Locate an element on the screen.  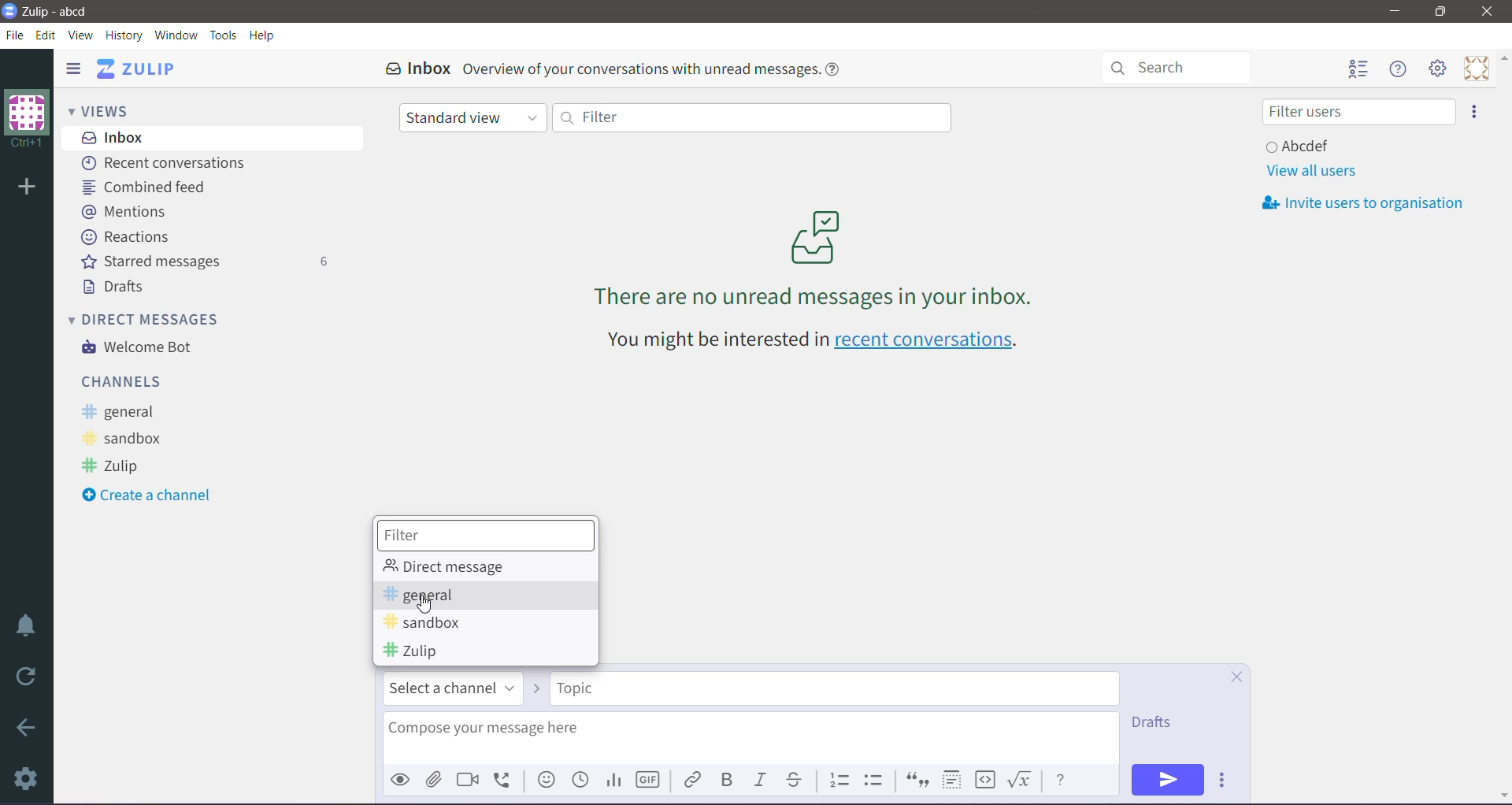
Reactions is located at coordinates (128, 237).